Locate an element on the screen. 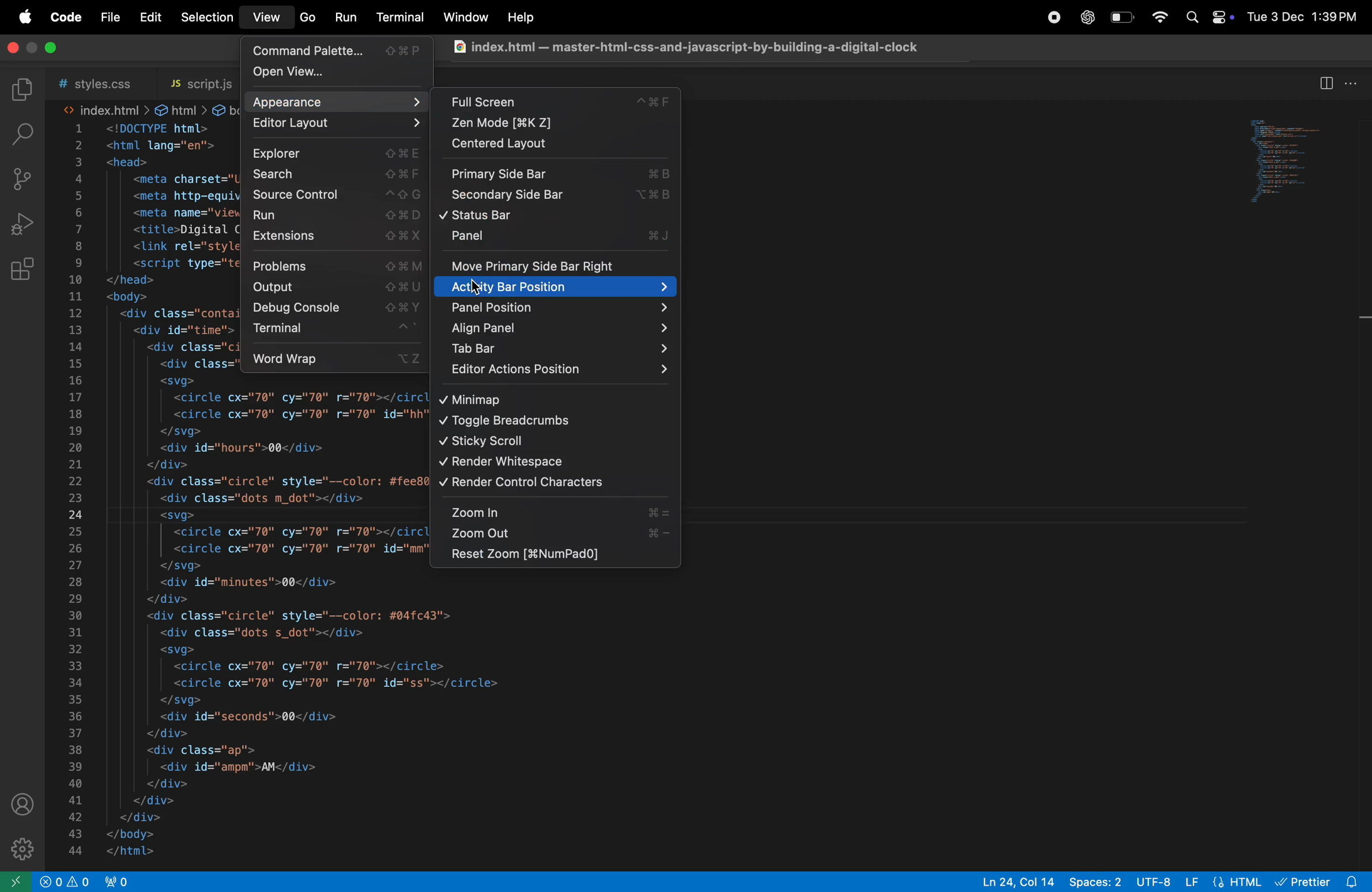 This screenshot has height=892, width=1372. sticky scrool is located at coordinates (552, 441).